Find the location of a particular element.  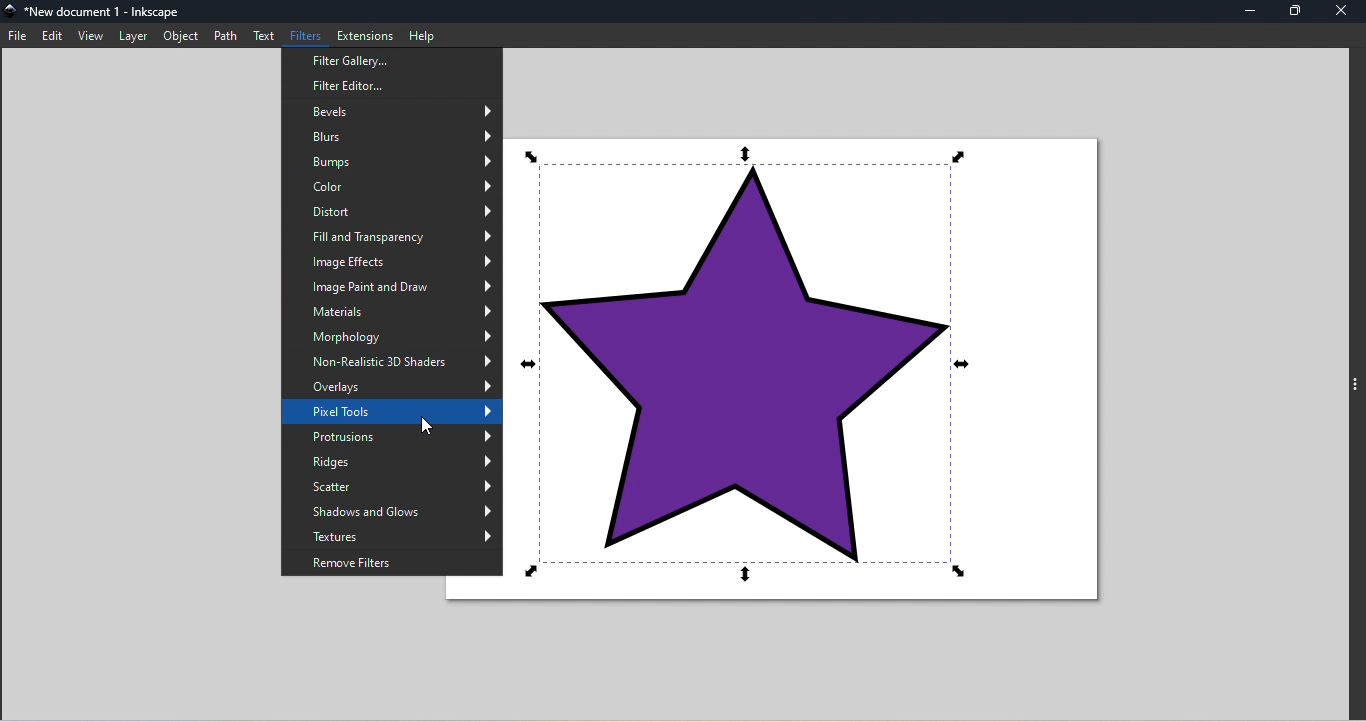

Filter Editor is located at coordinates (393, 86).